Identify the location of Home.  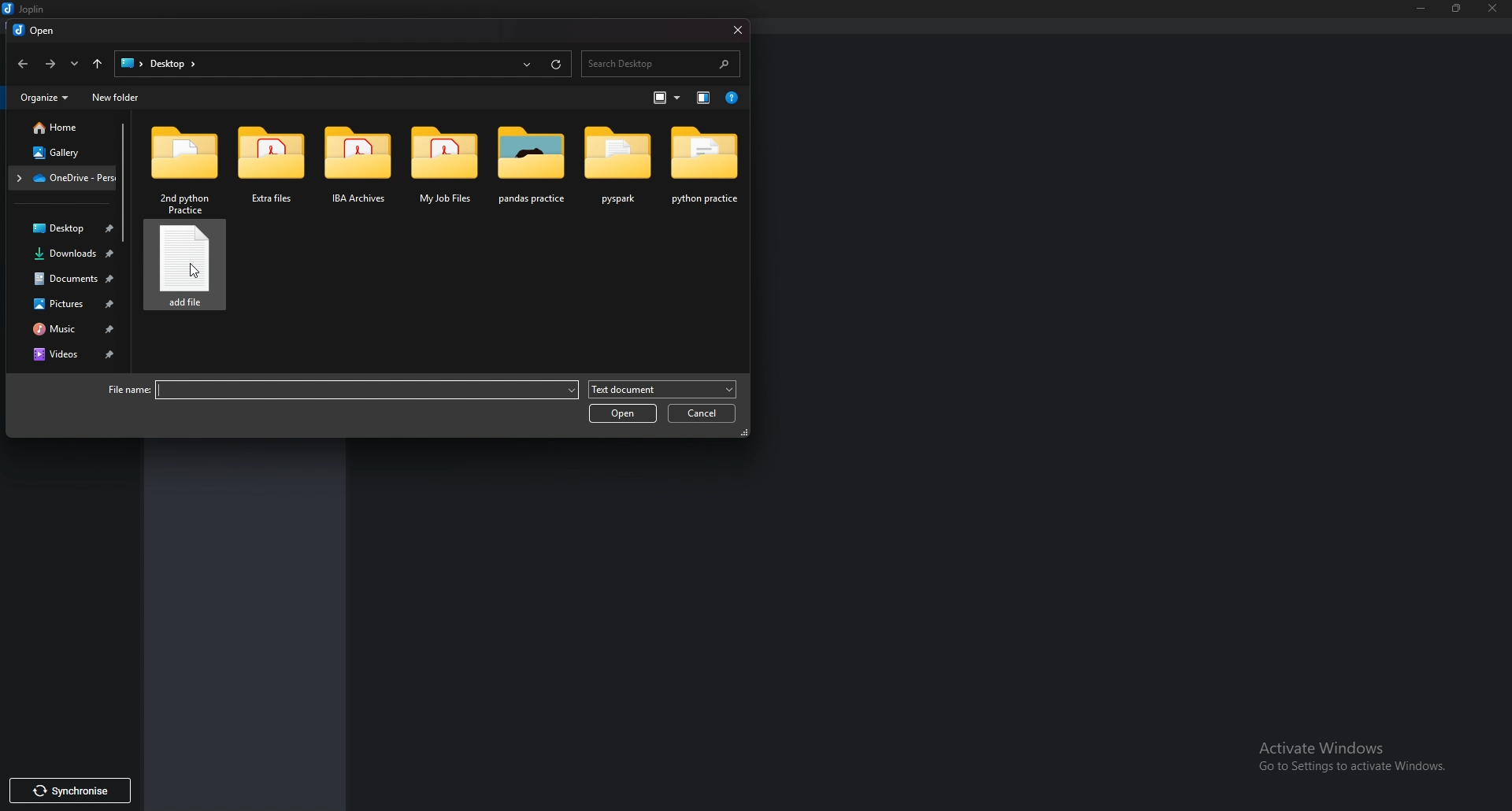
(58, 128).